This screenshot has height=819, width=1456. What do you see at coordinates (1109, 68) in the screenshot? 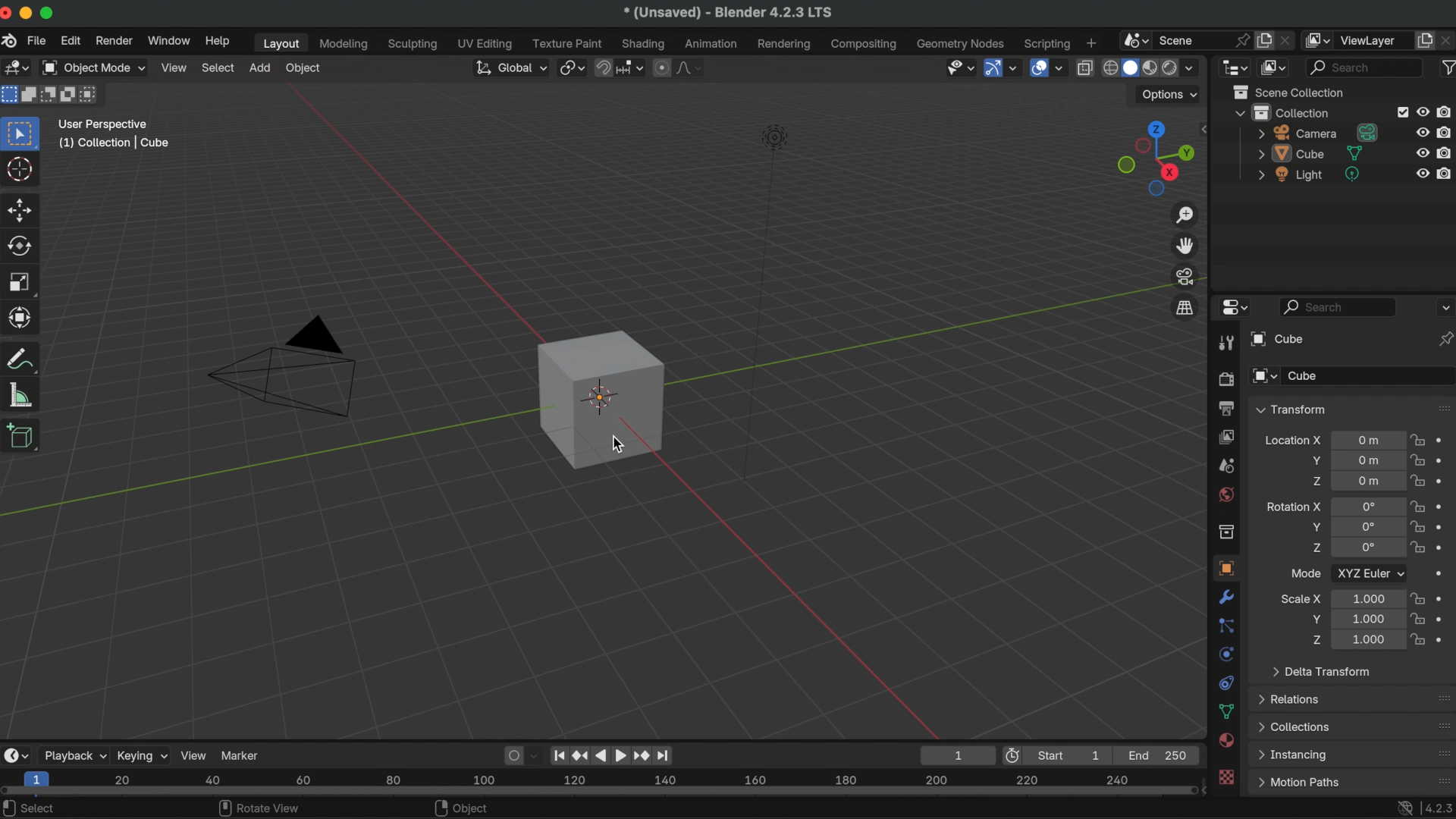
I see `viewport shading wireframe ` at bounding box center [1109, 68].